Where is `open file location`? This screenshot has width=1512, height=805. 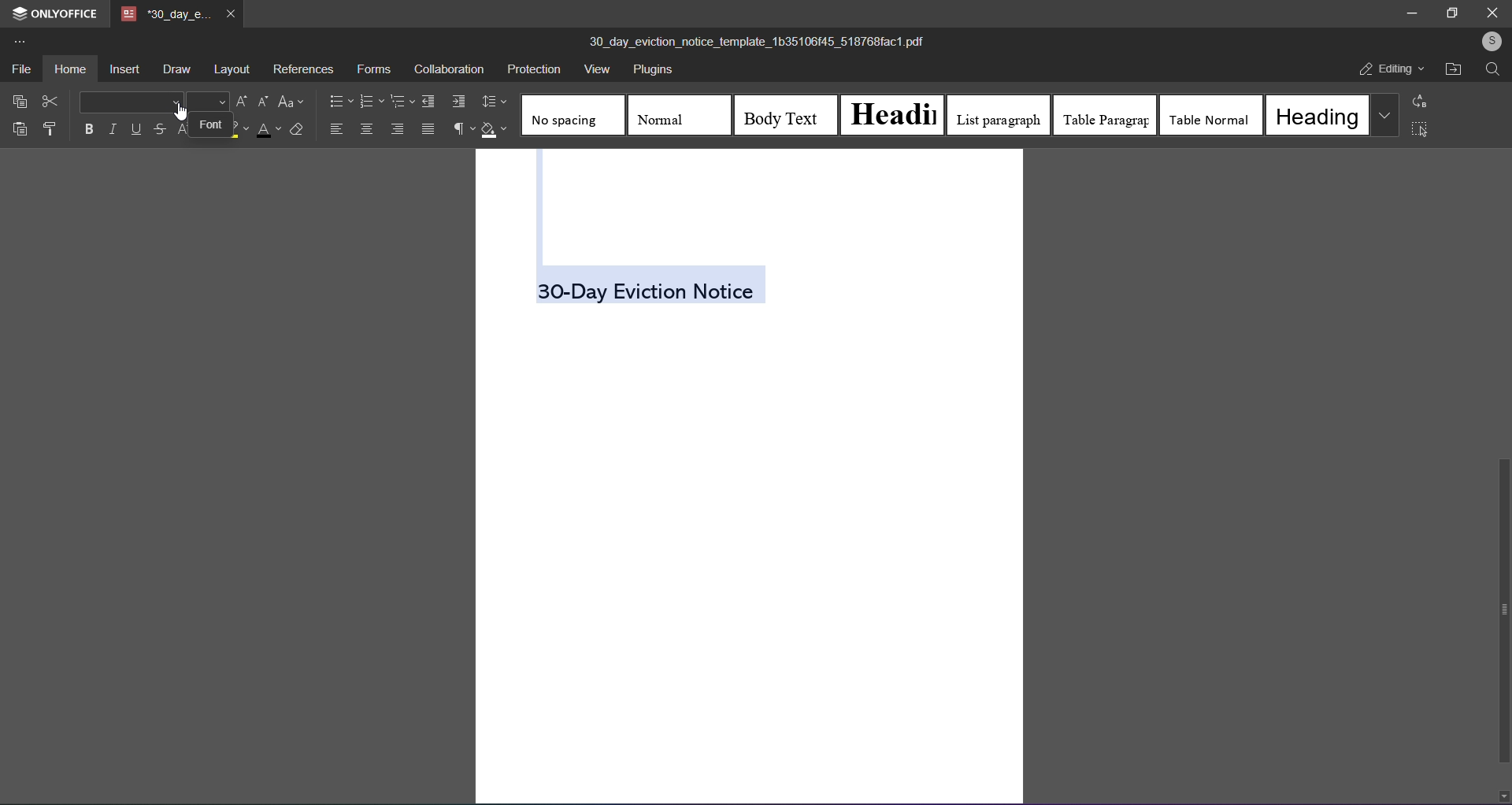 open file location is located at coordinates (1452, 69).